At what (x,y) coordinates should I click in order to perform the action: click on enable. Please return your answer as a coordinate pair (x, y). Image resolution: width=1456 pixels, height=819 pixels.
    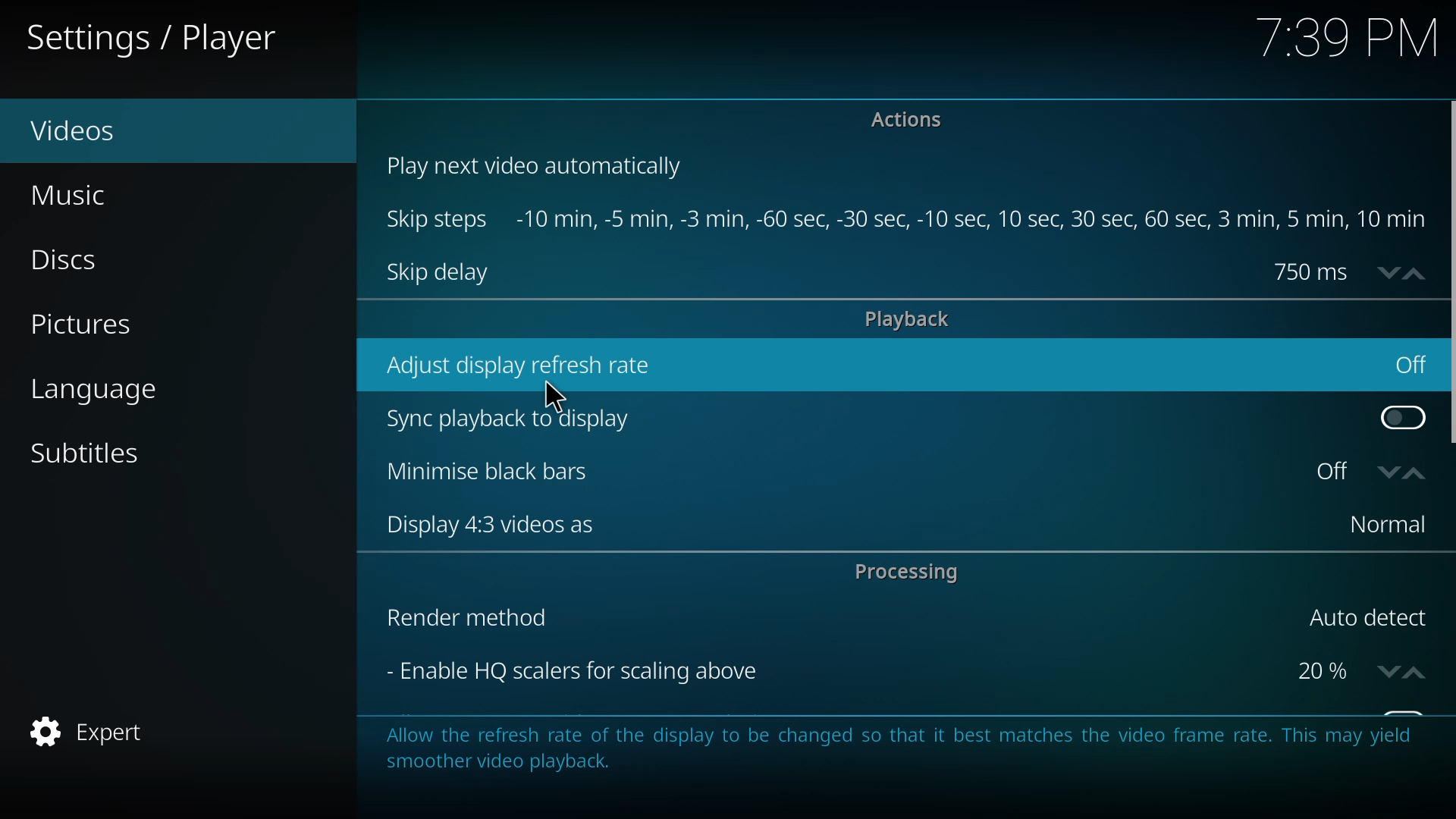
    Looking at the image, I should click on (1398, 414).